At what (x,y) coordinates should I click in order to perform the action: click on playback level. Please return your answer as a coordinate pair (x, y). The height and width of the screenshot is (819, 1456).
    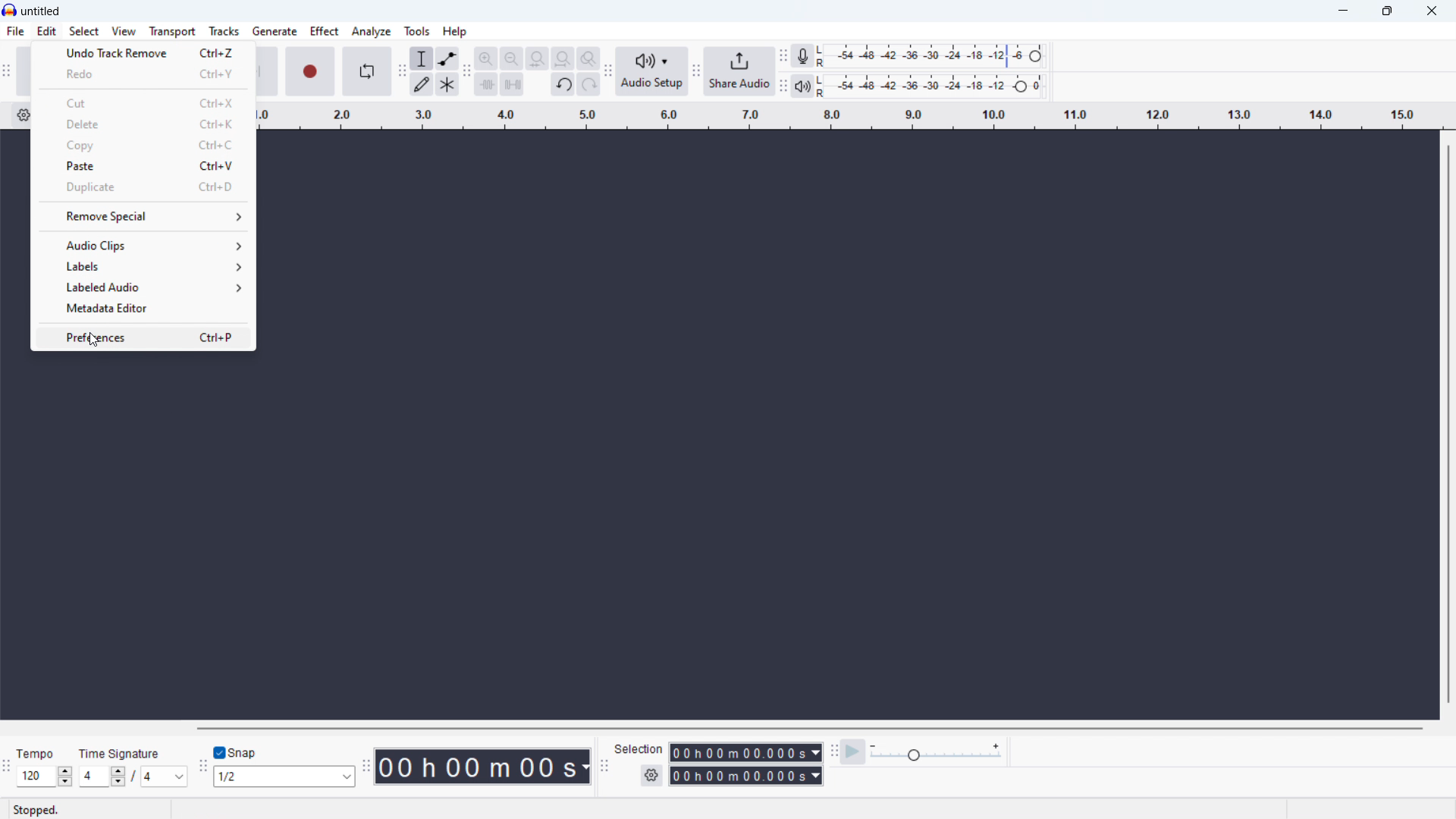
    Looking at the image, I should click on (935, 86).